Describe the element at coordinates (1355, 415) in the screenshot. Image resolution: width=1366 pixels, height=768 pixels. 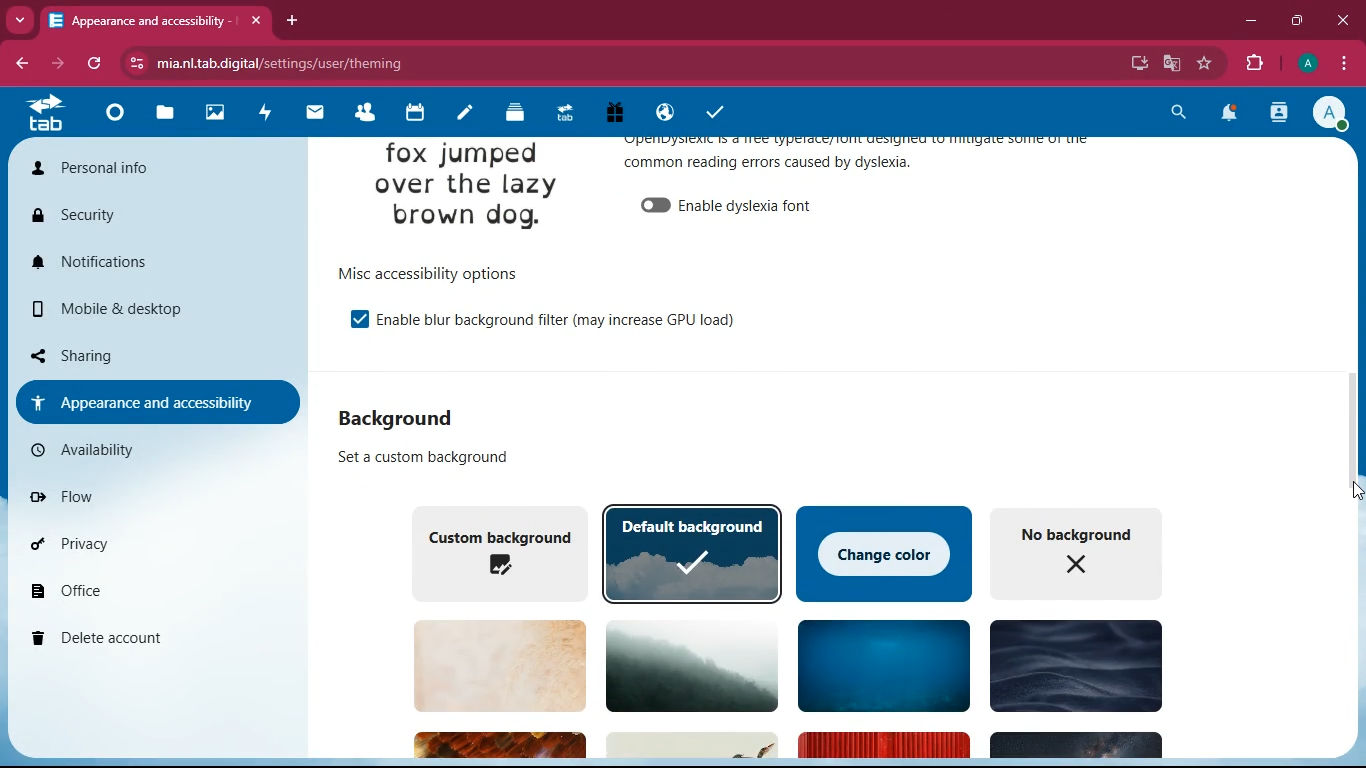
I see `scroll bar` at that location.